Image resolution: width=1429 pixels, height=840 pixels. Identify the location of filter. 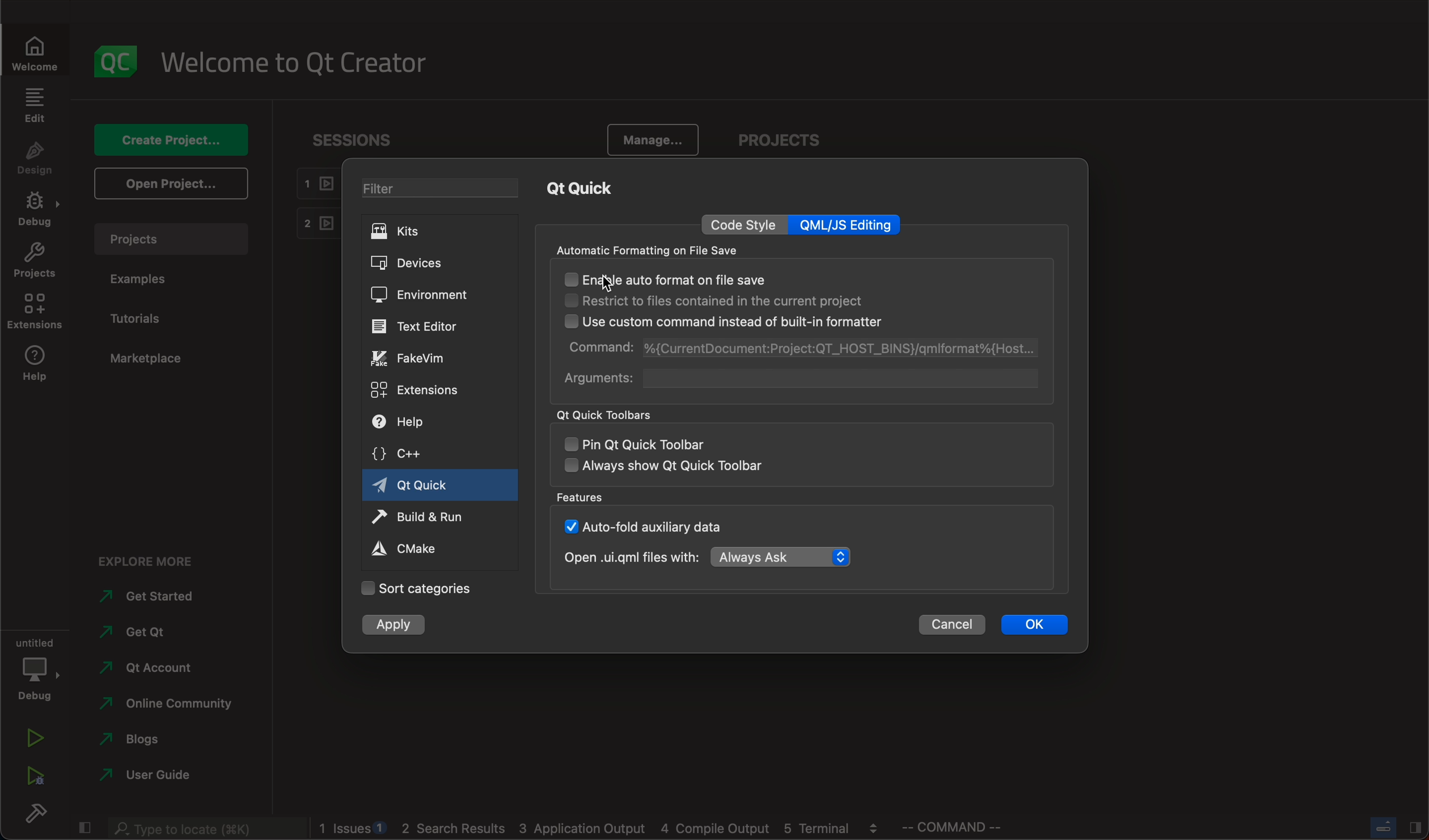
(444, 189).